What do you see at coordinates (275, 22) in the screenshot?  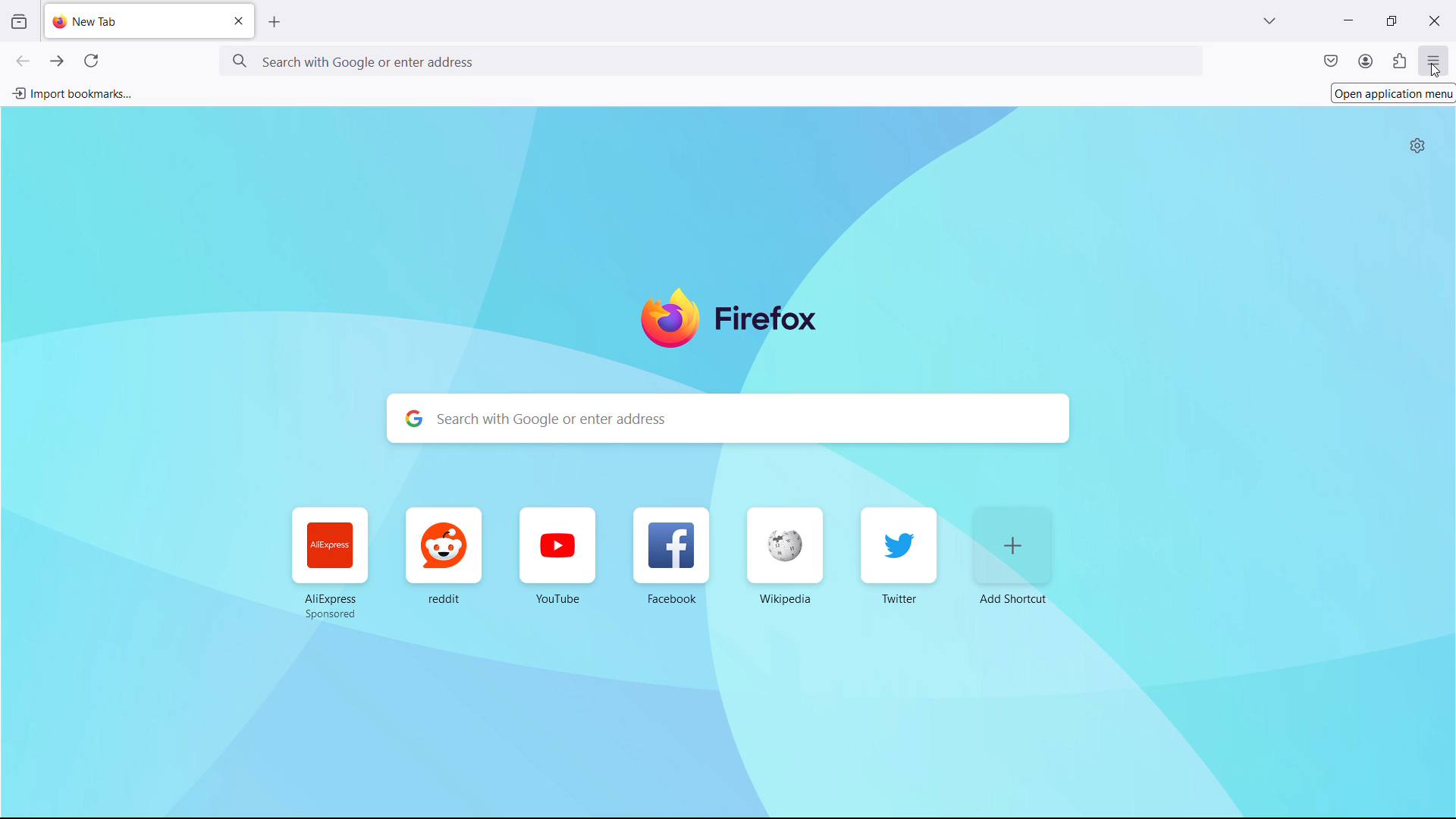 I see `open new tab` at bounding box center [275, 22].